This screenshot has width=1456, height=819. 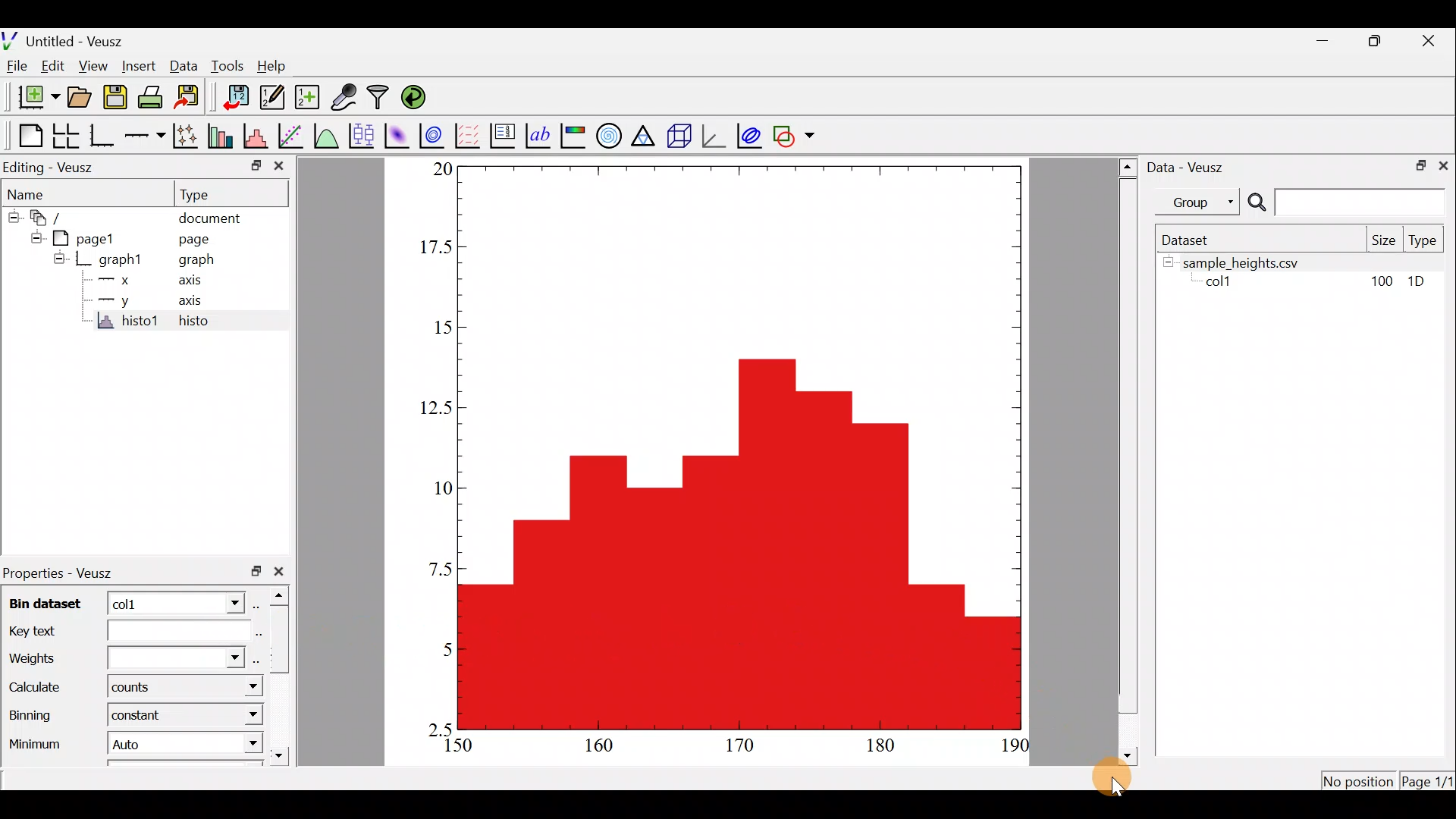 What do you see at coordinates (36, 712) in the screenshot?
I see `Binning` at bounding box center [36, 712].